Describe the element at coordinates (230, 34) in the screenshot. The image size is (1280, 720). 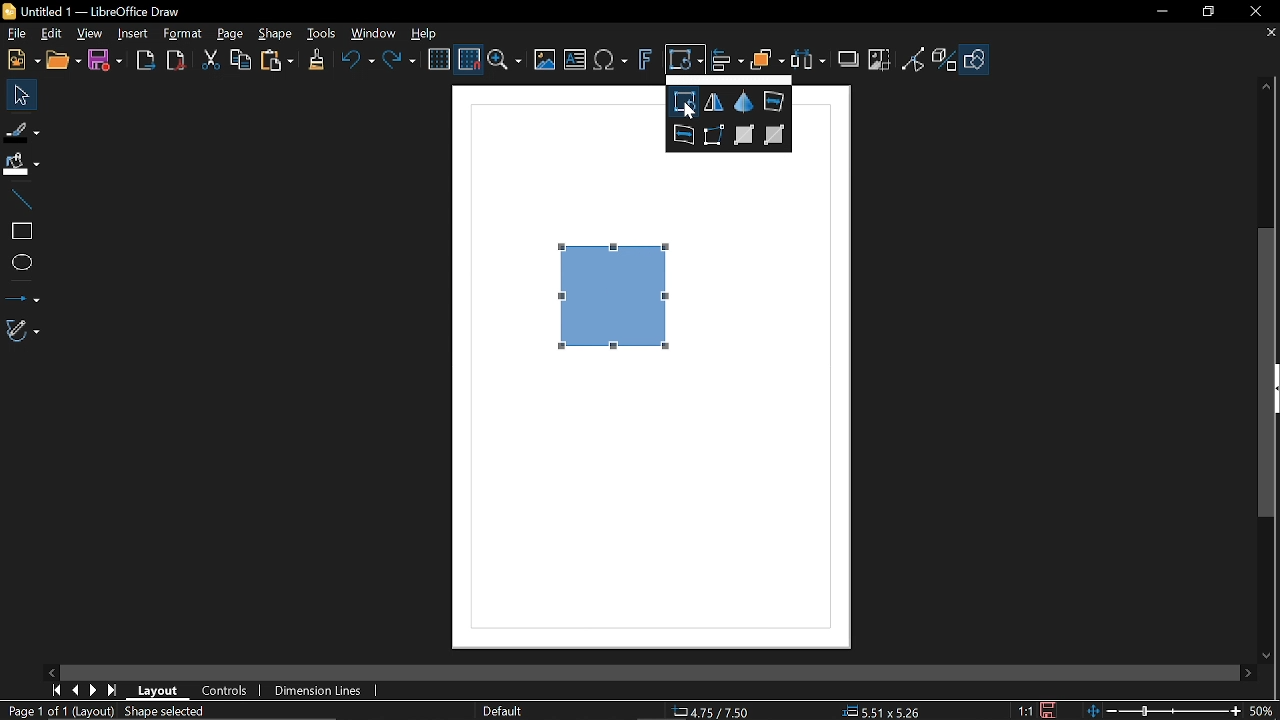
I see `Page` at that location.